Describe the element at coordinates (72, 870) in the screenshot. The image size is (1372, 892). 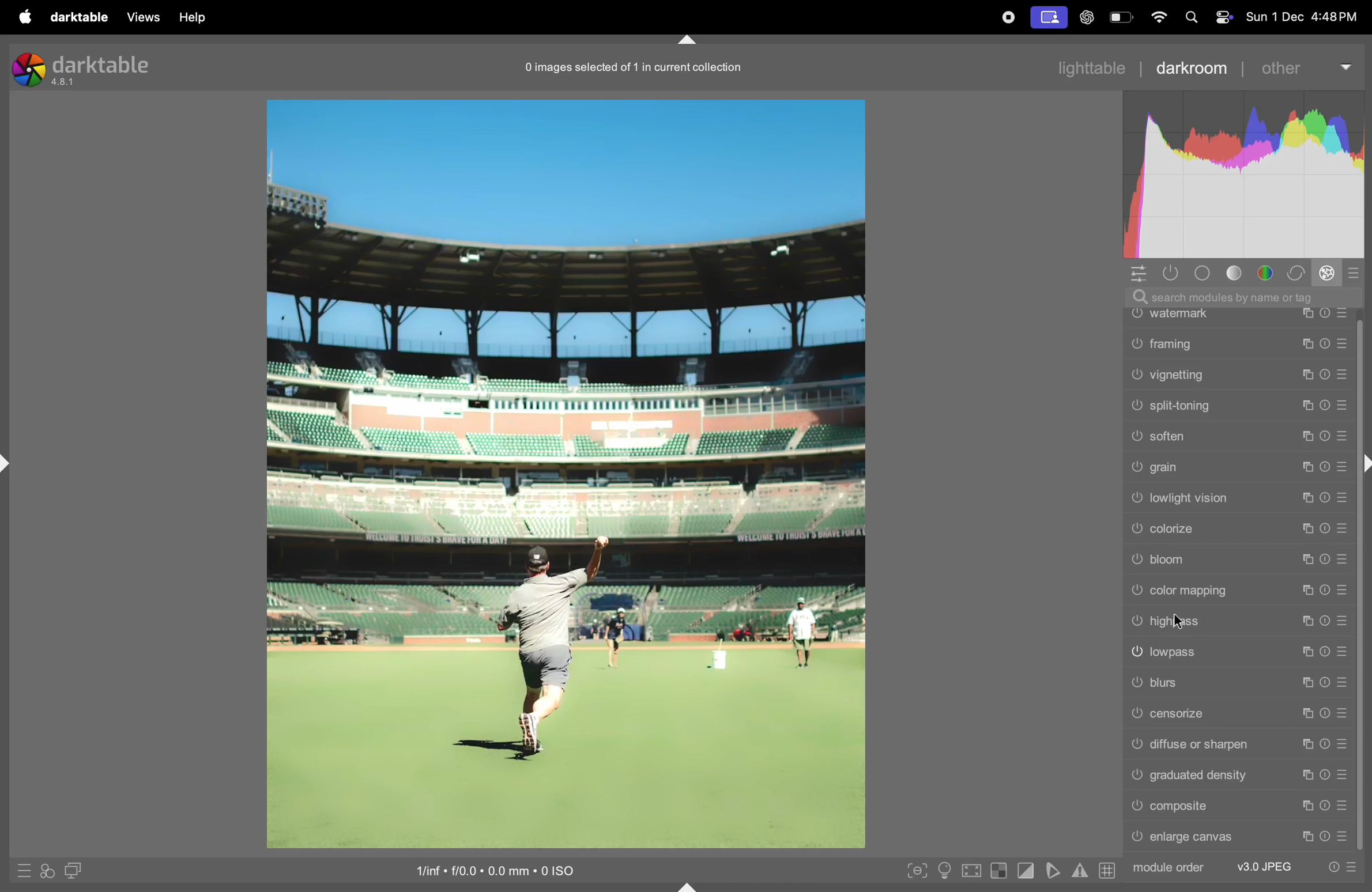
I see `display second darkroom image` at that location.